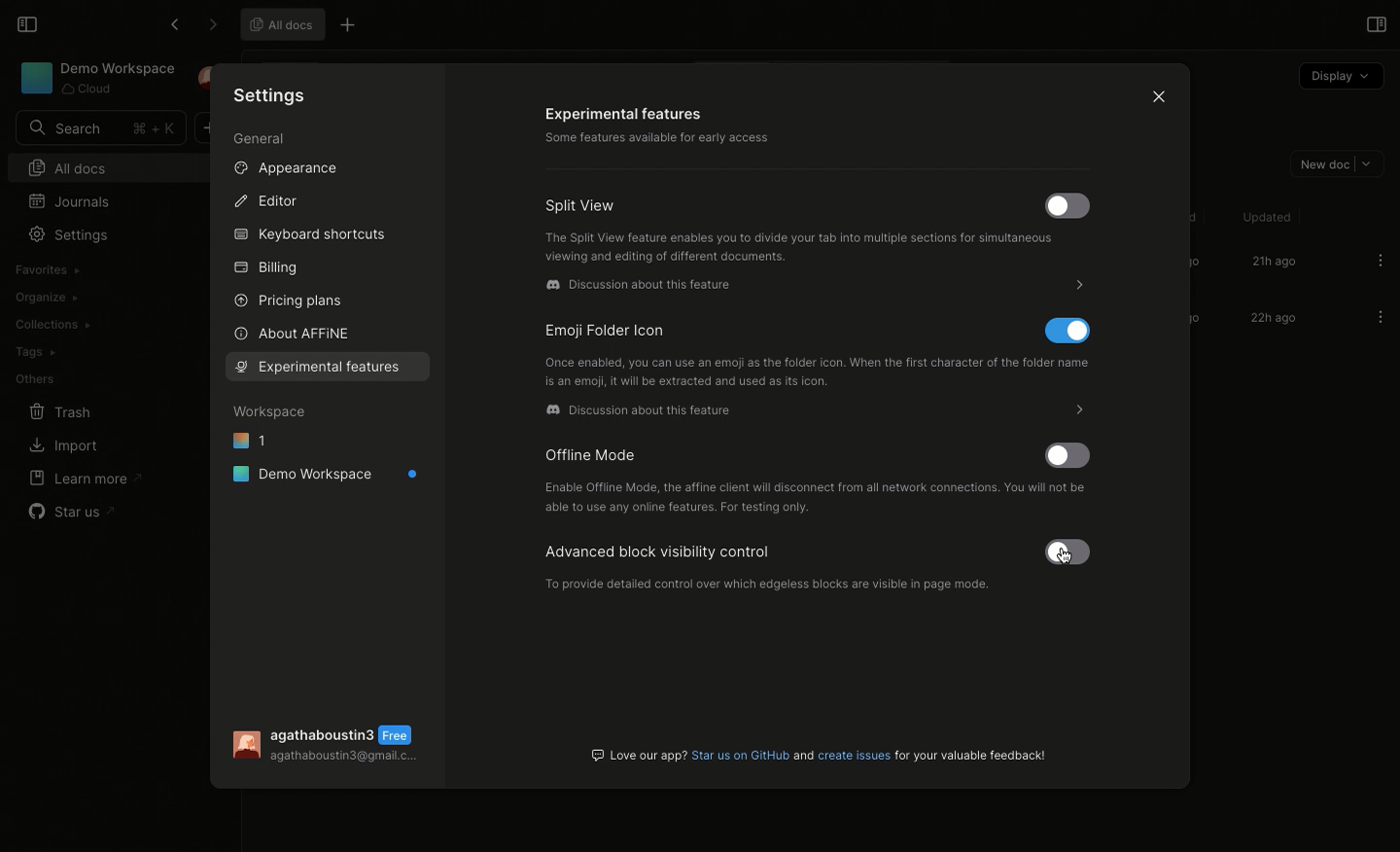 The width and height of the screenshot is (1400, 852). Describe the element at coordinates (791, 352) in the screenshot. I see `Emoji folder icon` at that location.